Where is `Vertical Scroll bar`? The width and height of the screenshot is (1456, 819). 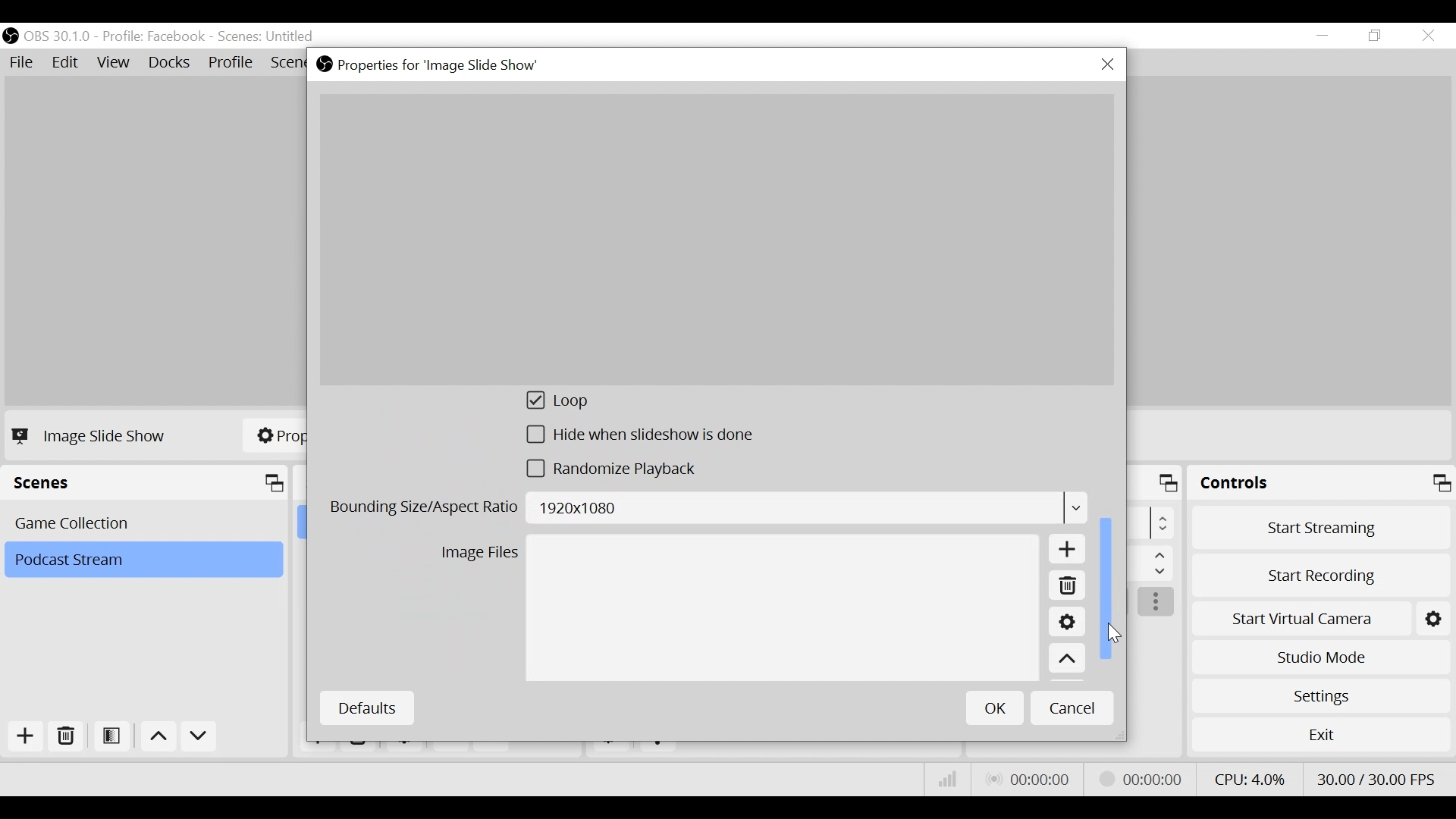
Vertical Scroll bar is located at coordinates (1109, 587).